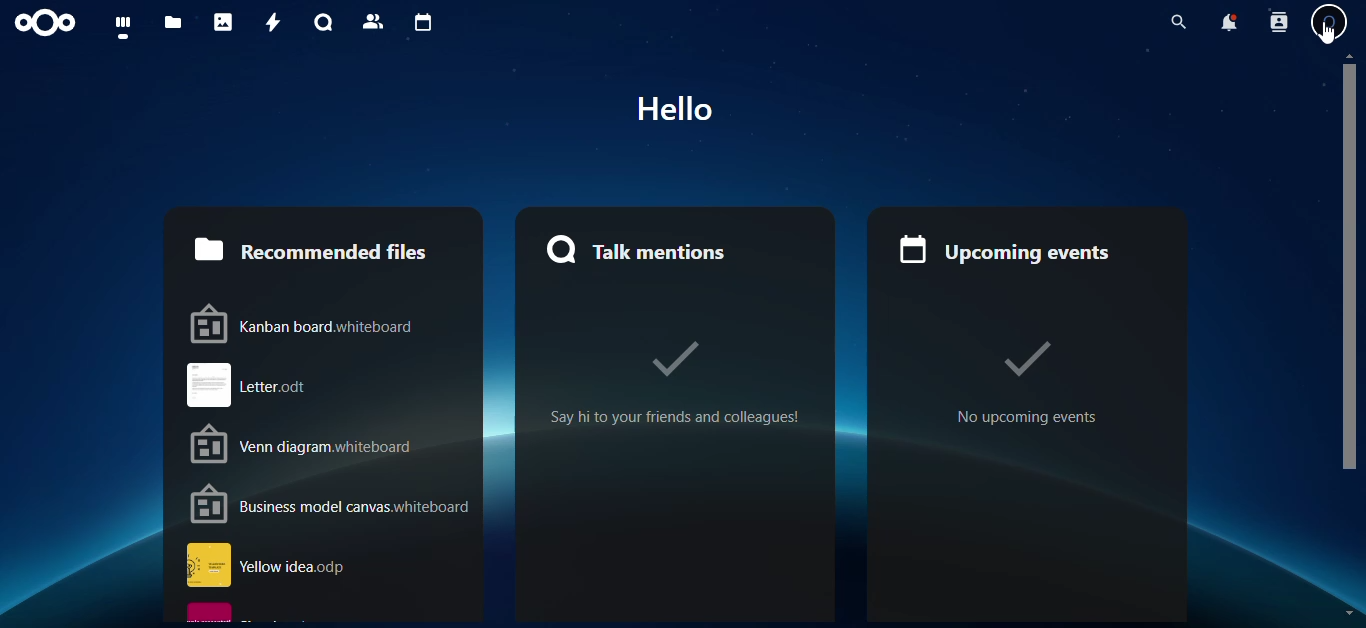 Image resolution: width=1366 pixels, height=628 pixels. Describe the element at coordinates (1329, 22) in the screenshot. I see `profile` at that location.